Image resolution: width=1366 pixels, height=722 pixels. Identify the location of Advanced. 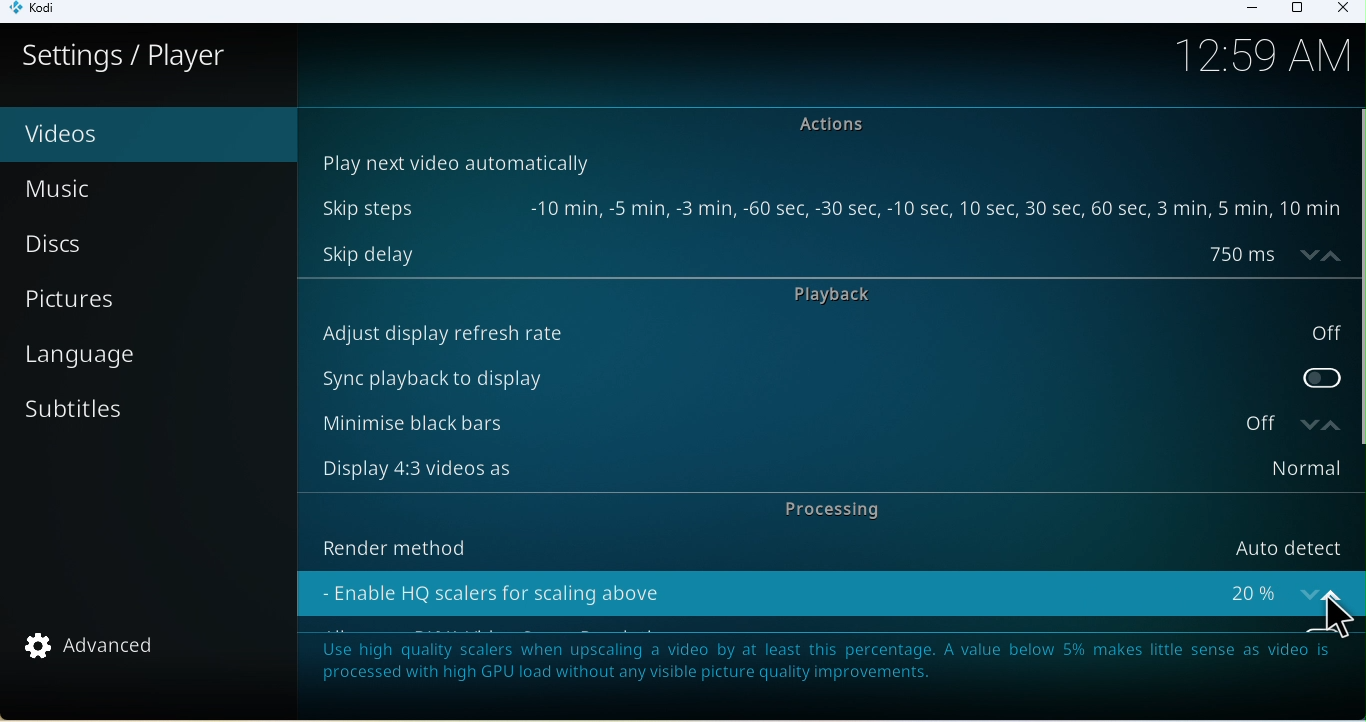
(102, 649).